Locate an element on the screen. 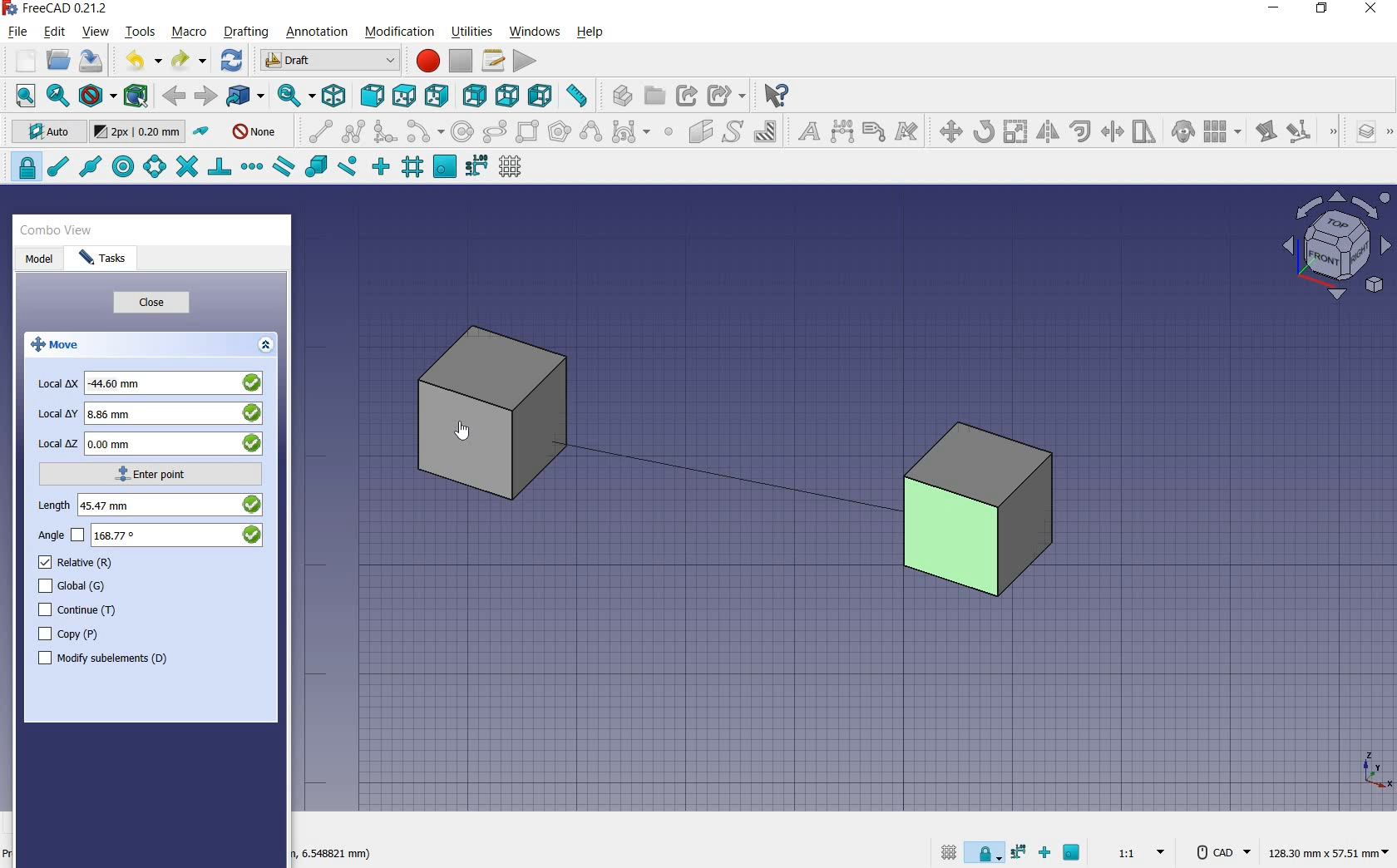  move is located at coordinates (86, 345).